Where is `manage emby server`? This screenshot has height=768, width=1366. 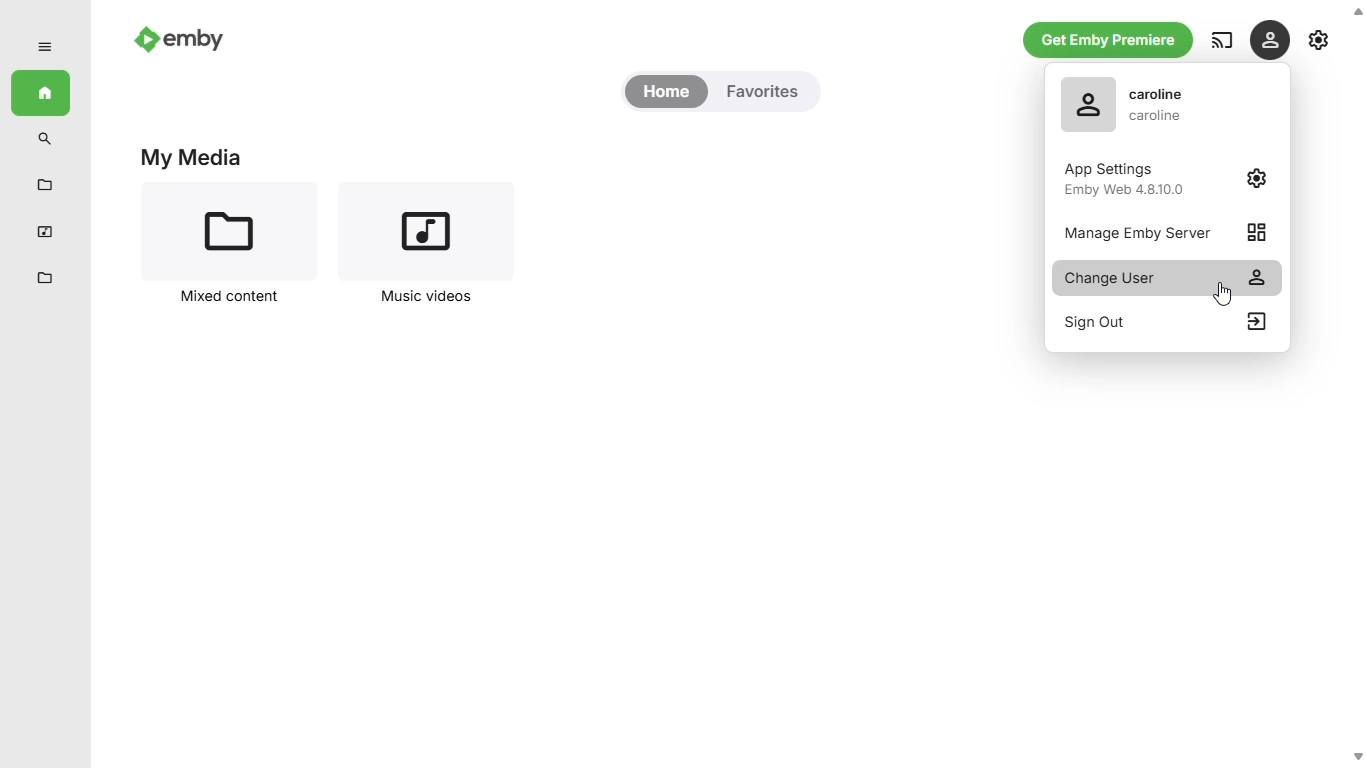
manage emby server is located at coordinates (1165, 231).